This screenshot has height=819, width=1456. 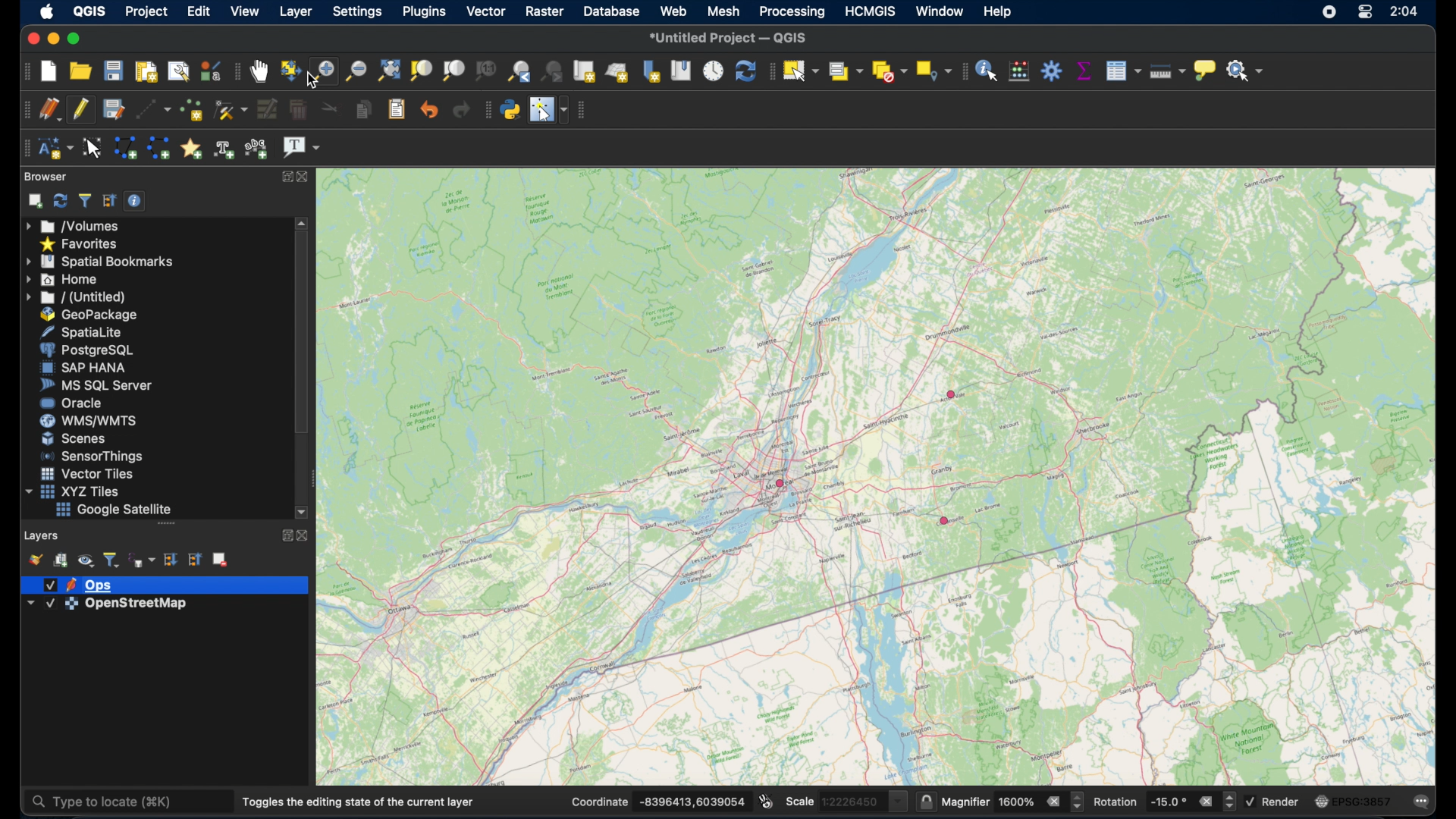 What do you see at coordinates (306, 177) in the screenshot?
I see `close browser` at bounding box center [306, 177].